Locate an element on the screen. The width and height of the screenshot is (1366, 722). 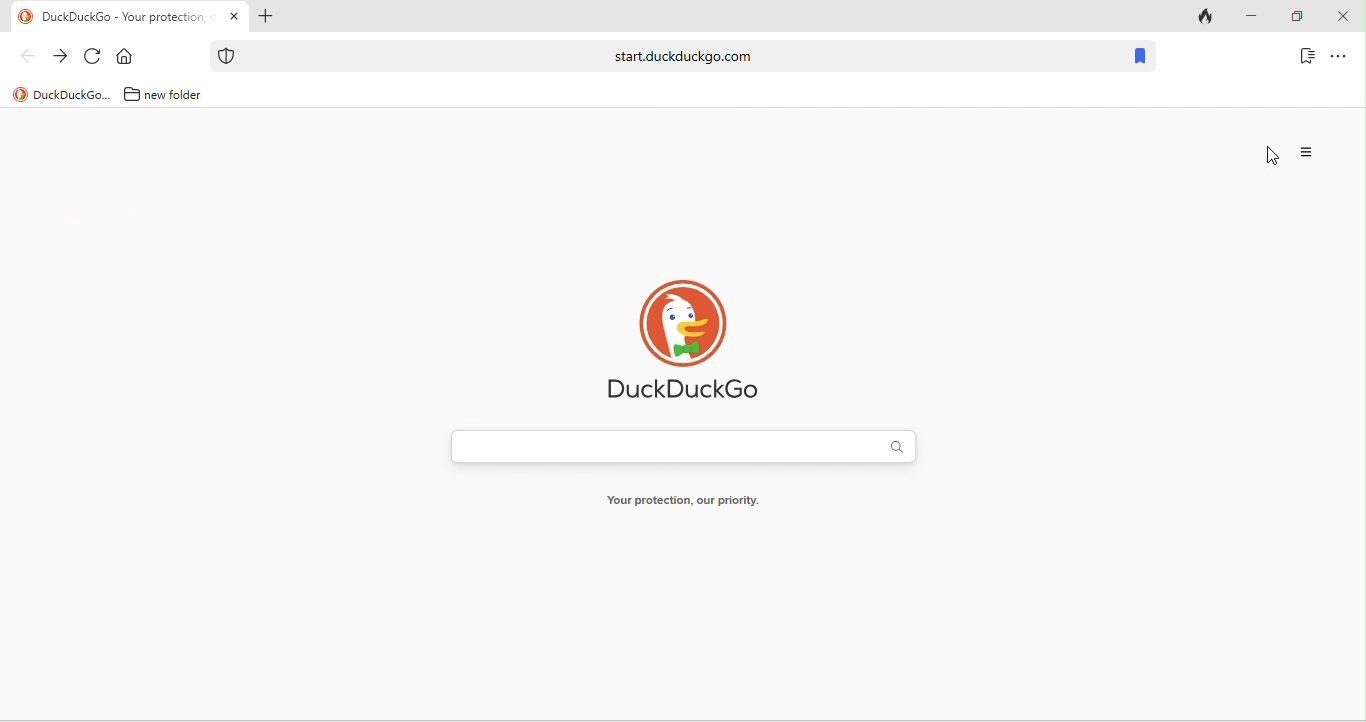
weblink is located at coordinates (665, 56).